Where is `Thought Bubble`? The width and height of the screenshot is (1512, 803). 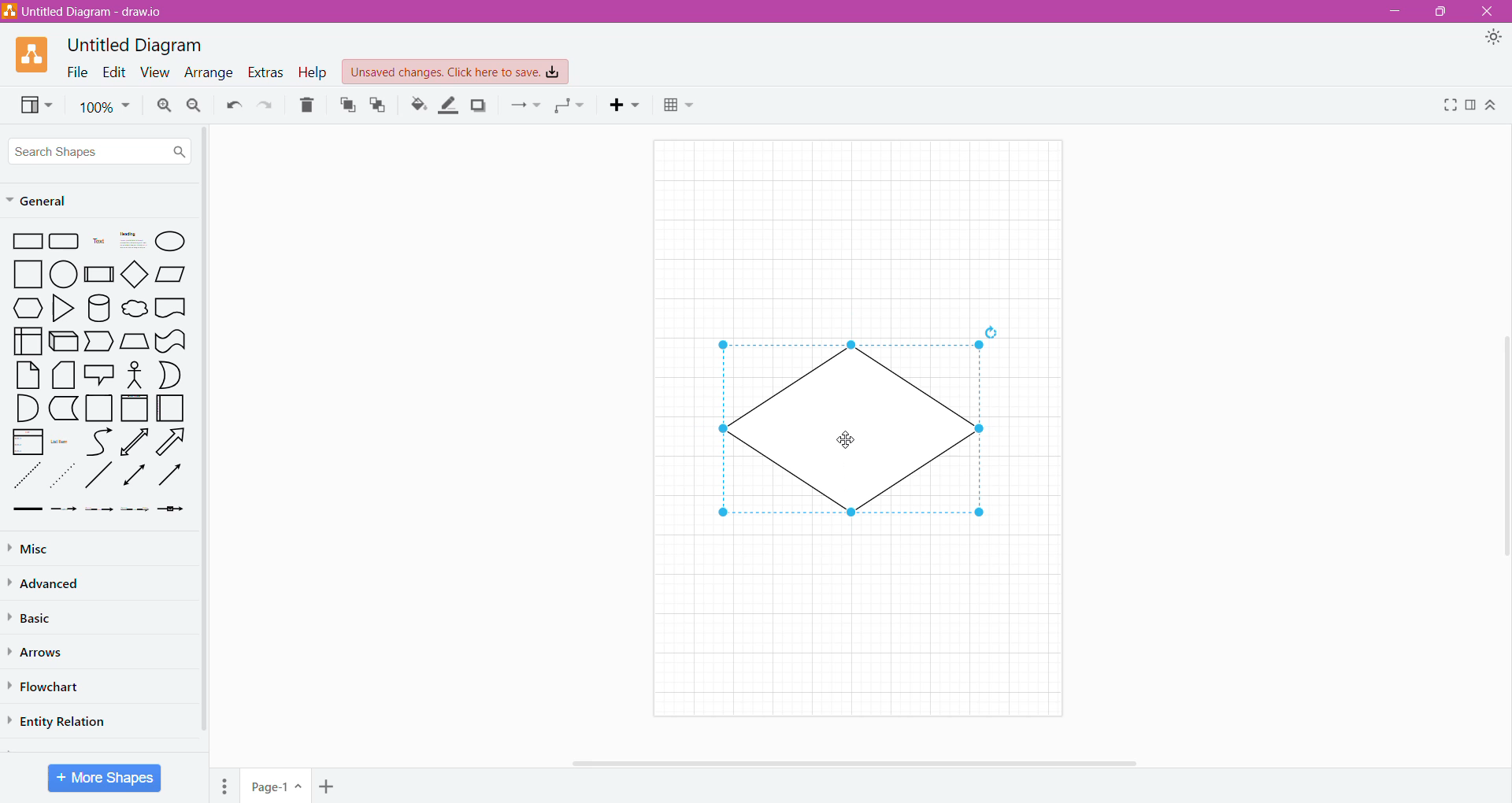 Thought Bubble is located at coordinates (134, 310).